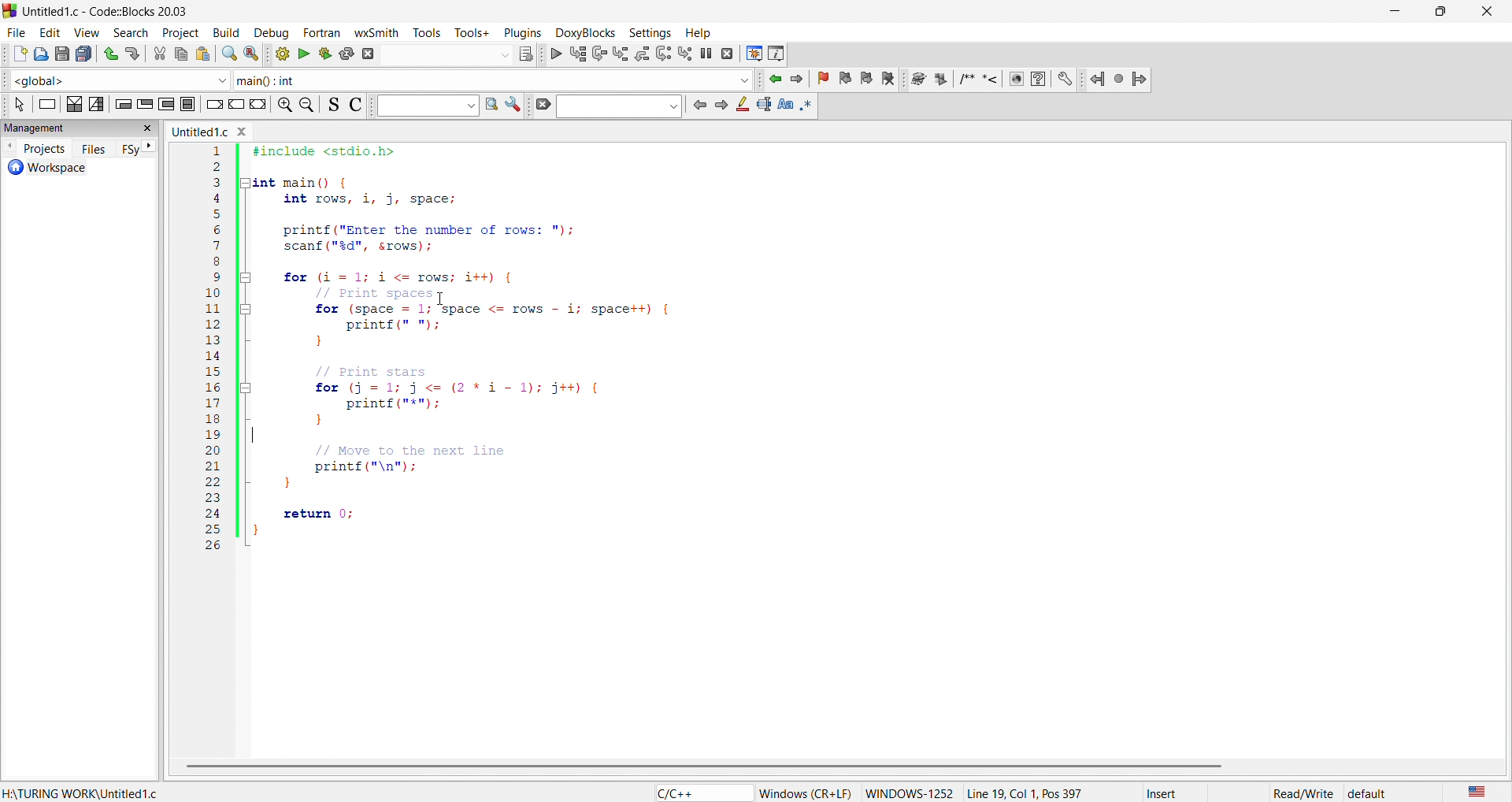  Describe the element at coordinates (598, 55) in the screenshot. I see `next line` at that location.